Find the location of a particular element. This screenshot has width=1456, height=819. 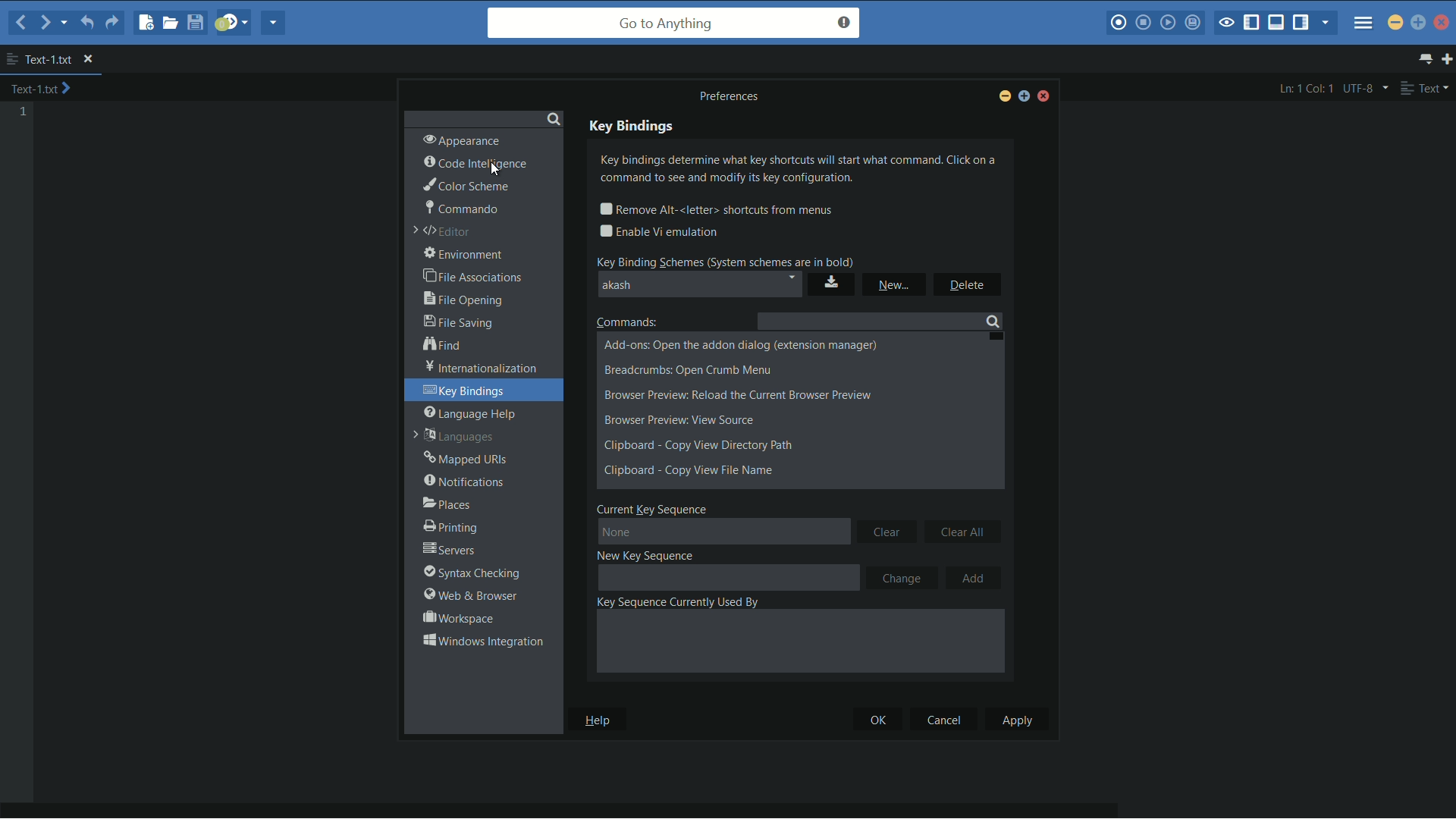

file saving is located at coordinates (458, 322).